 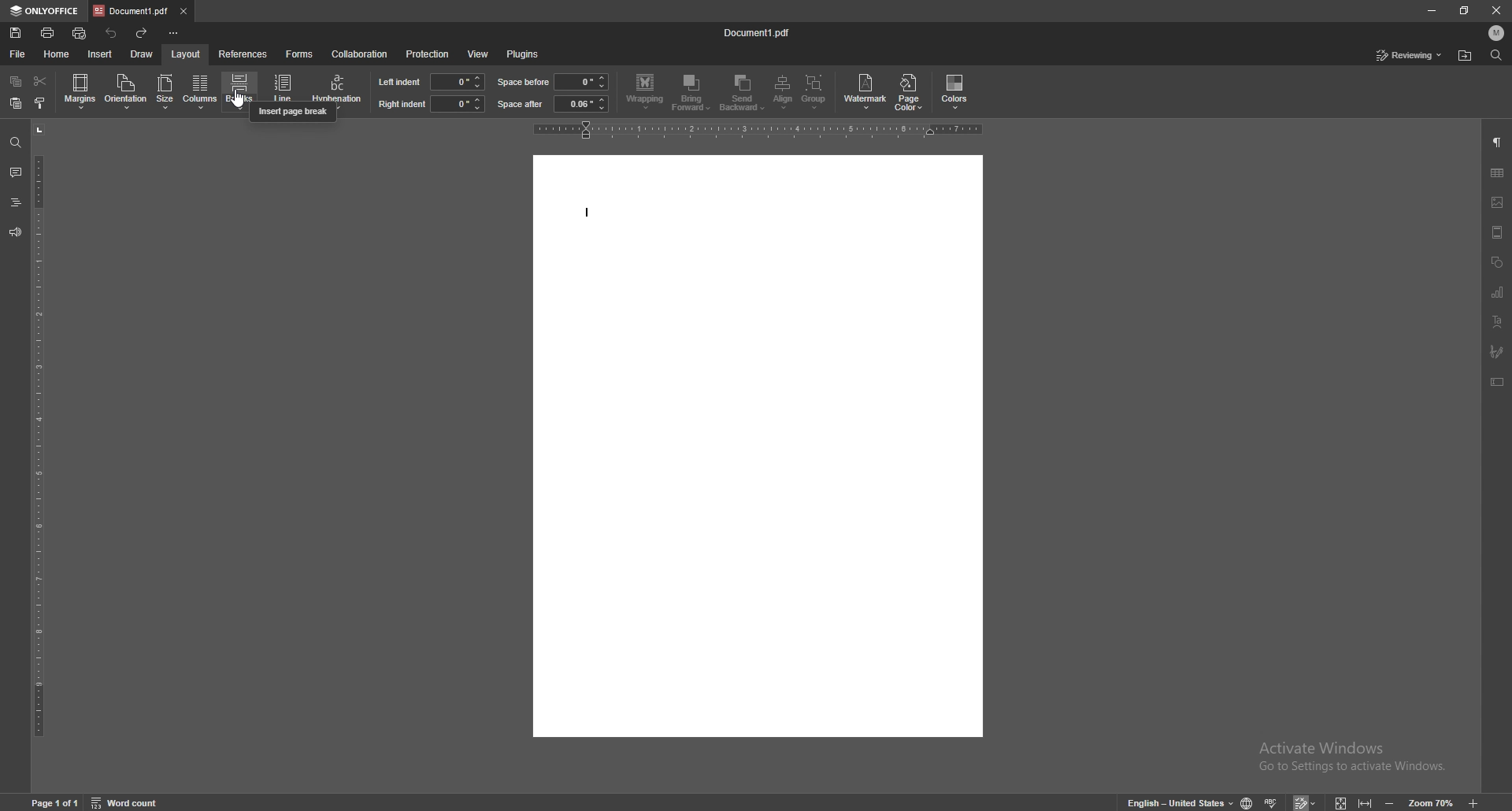 What do you see at coordinates (523, 54) in the screenshot?
I see `plugins` at bounding box center [523, 54].